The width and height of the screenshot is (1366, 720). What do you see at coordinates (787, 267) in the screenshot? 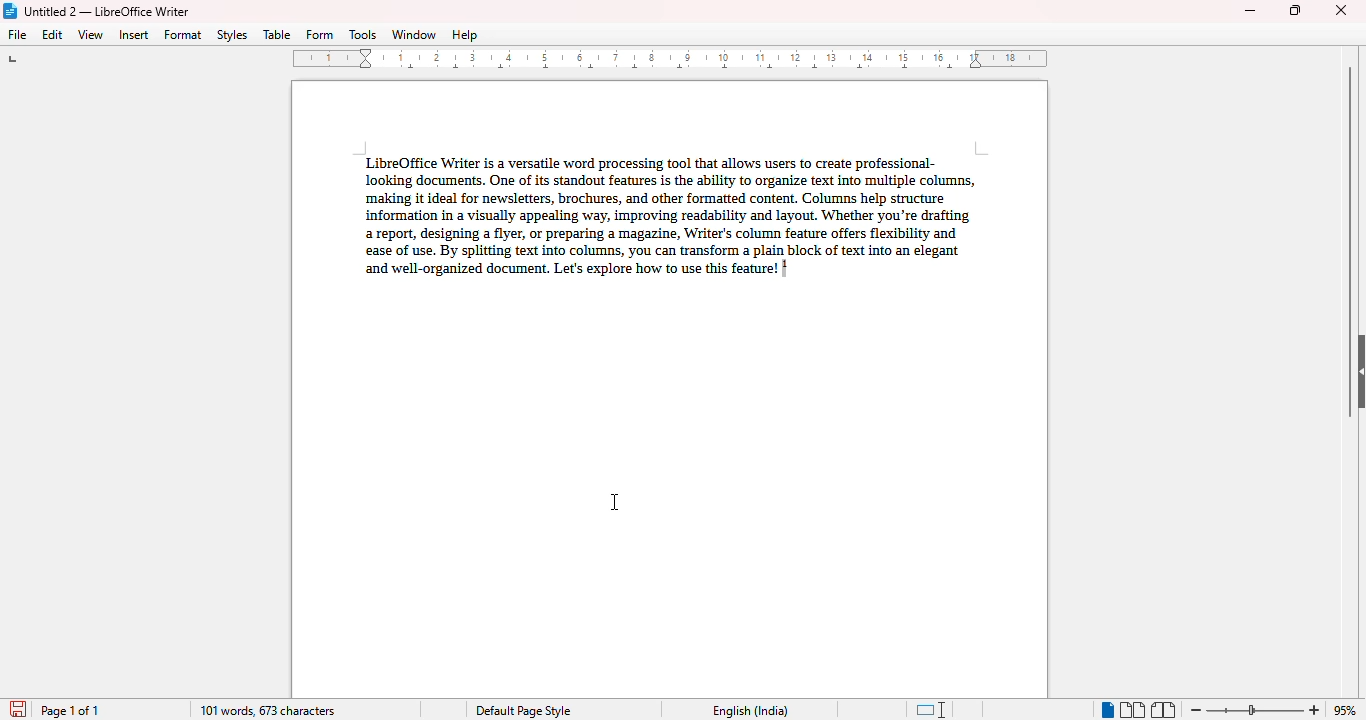
I see `footnote marker` at bounding box center [787, 267].